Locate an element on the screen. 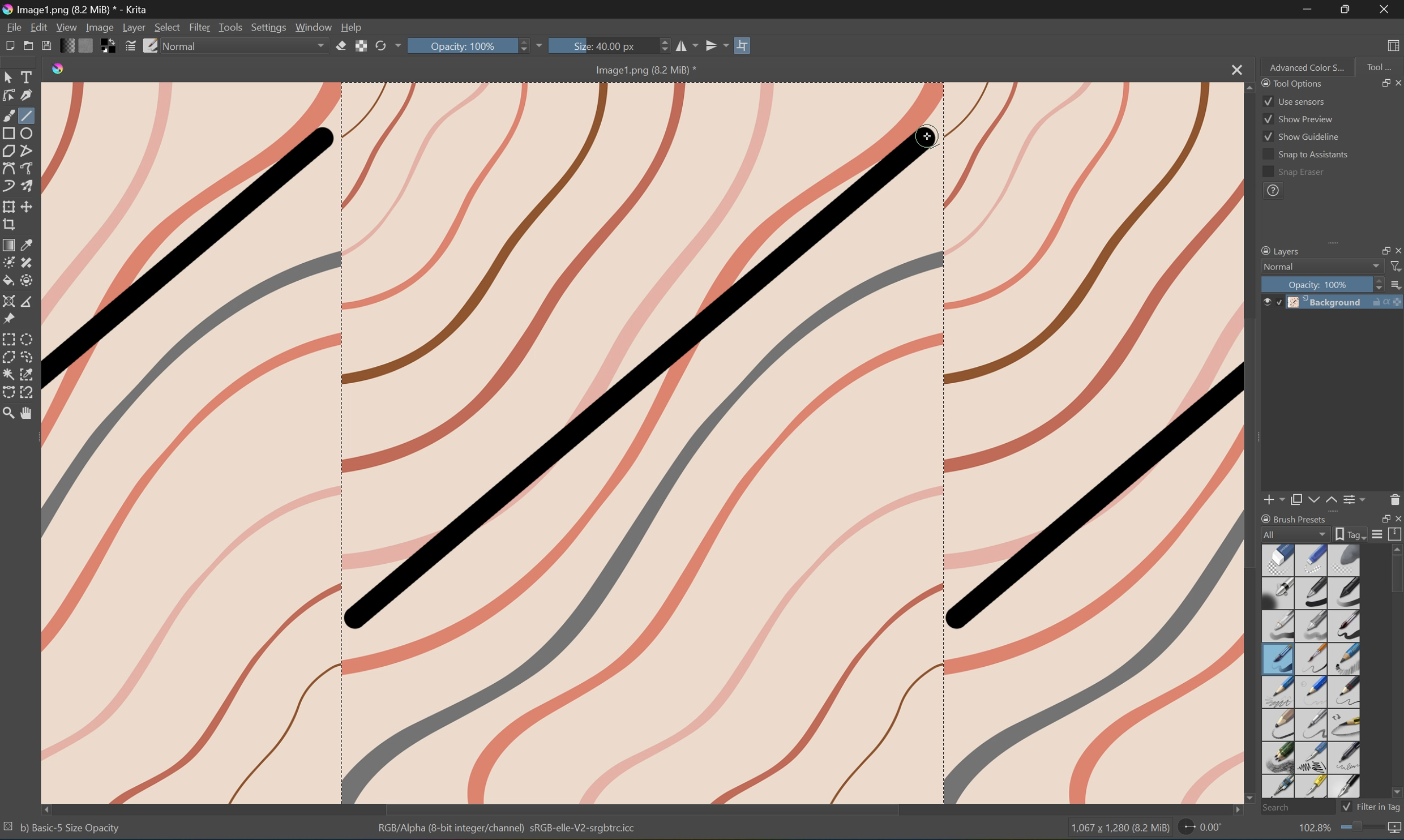 The height and width of the screenshot is (840, 1404). Krita is located at coordinates (59, 70).